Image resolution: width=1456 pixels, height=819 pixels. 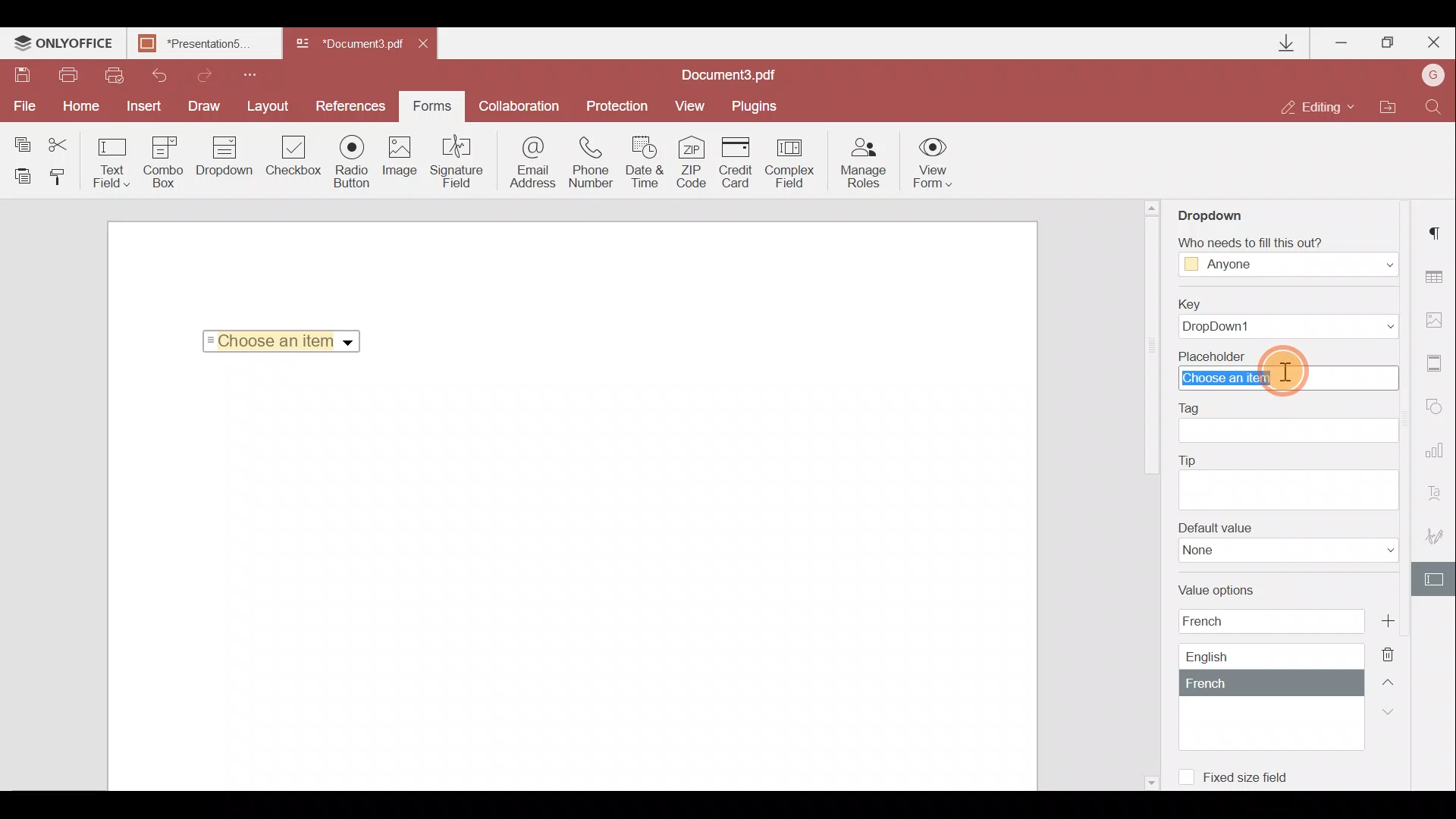 I want to click on Document3.pdf, so click(x=747, y=74).